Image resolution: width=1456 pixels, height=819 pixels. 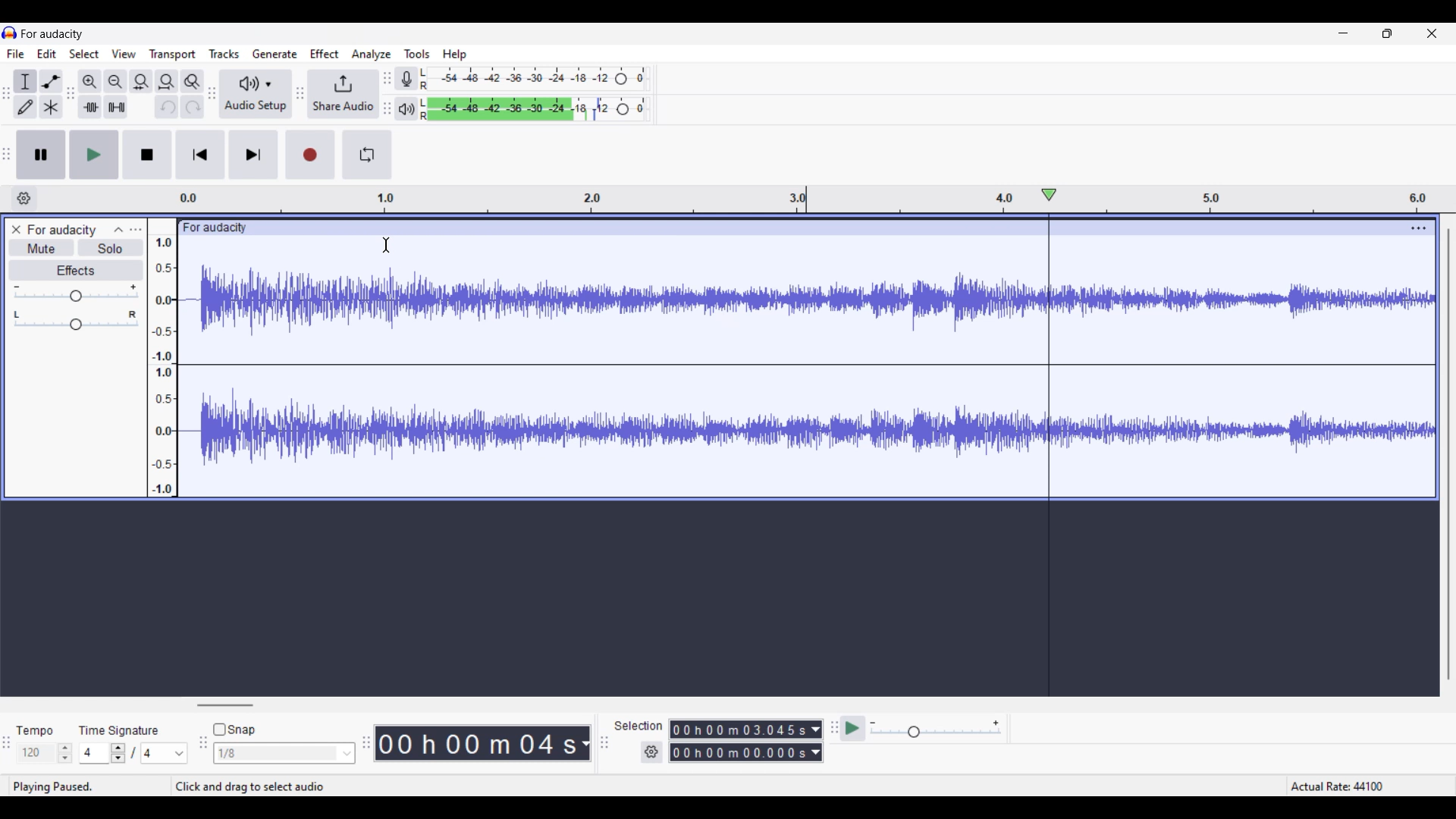 What do you see at coordinates (45, 753) in the screenshot?
I see `Tempo settings` at bounding box center [45, 753].